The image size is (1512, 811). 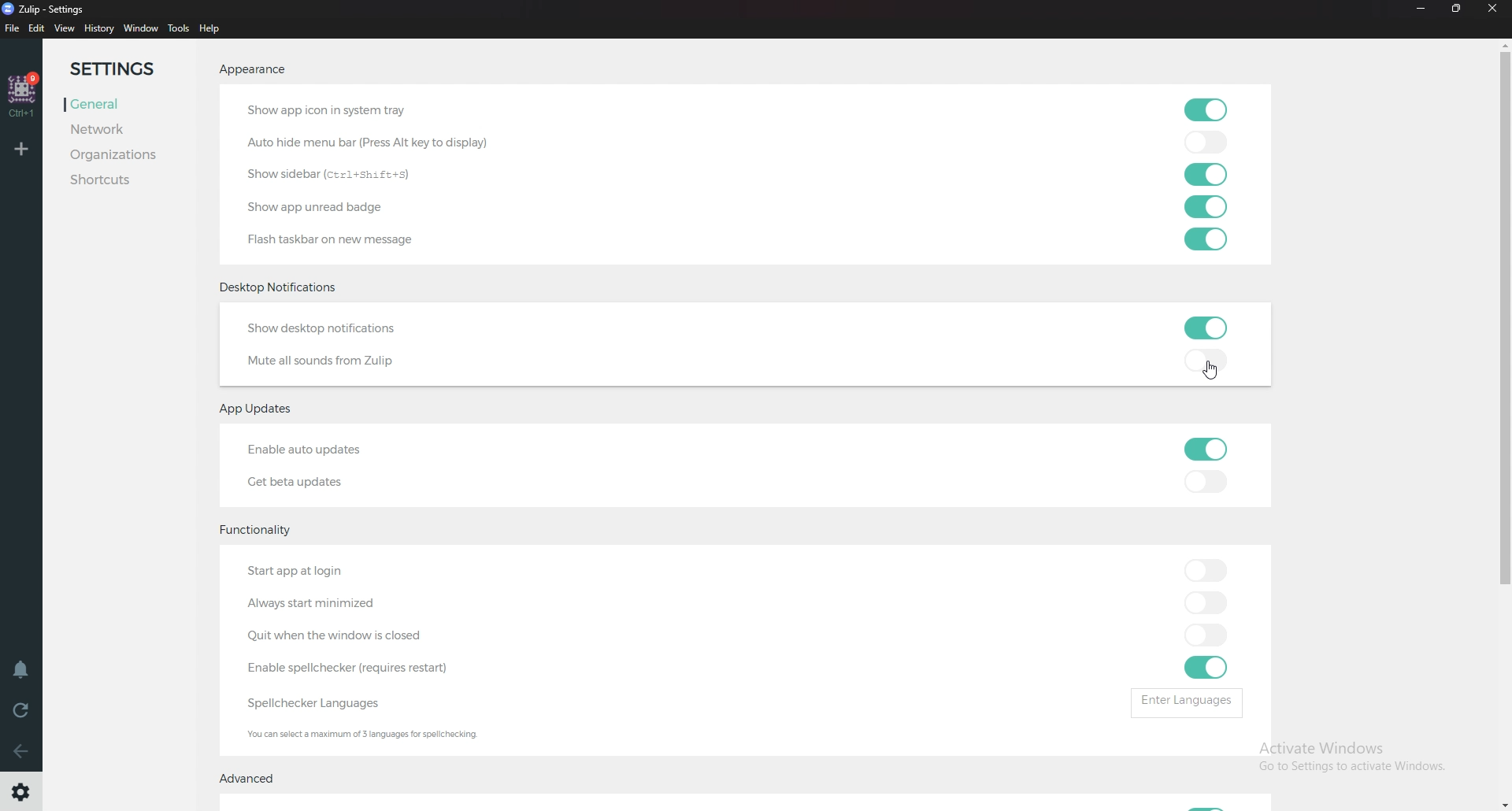 What do you see at coordinates (1206, 668) in the screenshot?
I see `toggle` at bounding box center [1206, 668].